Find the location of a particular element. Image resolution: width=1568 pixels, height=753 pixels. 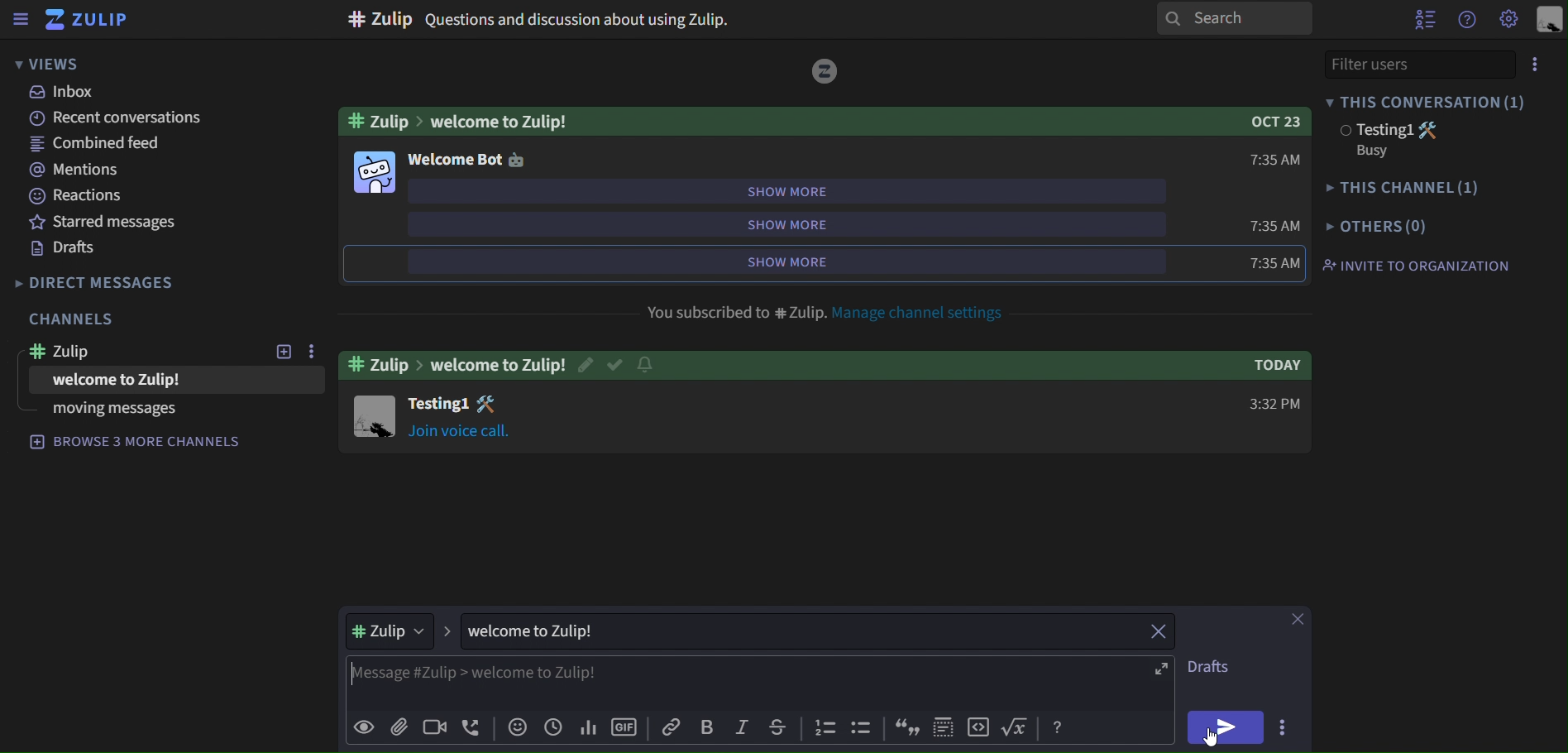

search is located at coordinates (1233, 17).